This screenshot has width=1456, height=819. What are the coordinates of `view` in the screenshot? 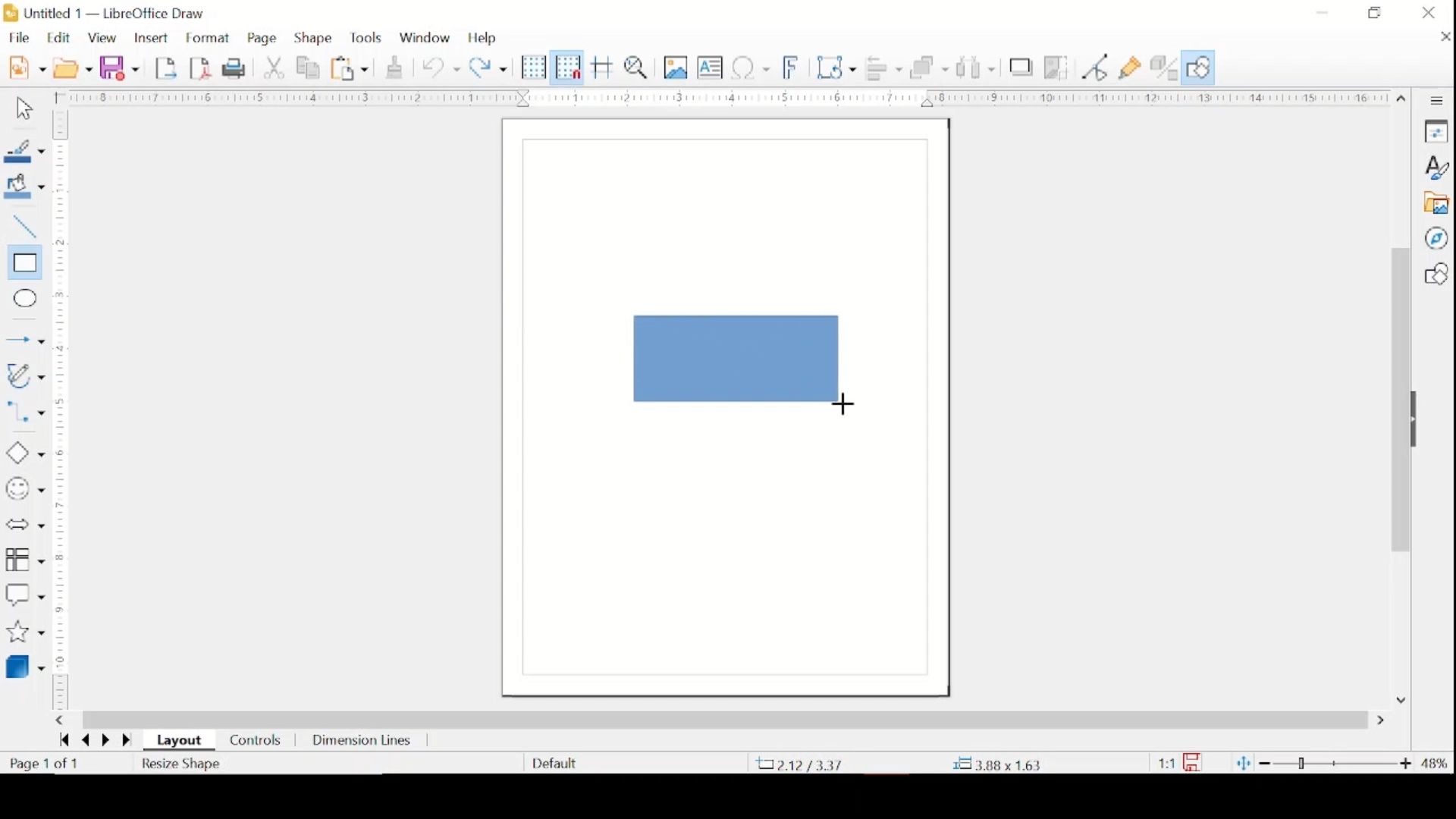 It's located at (104, 39).